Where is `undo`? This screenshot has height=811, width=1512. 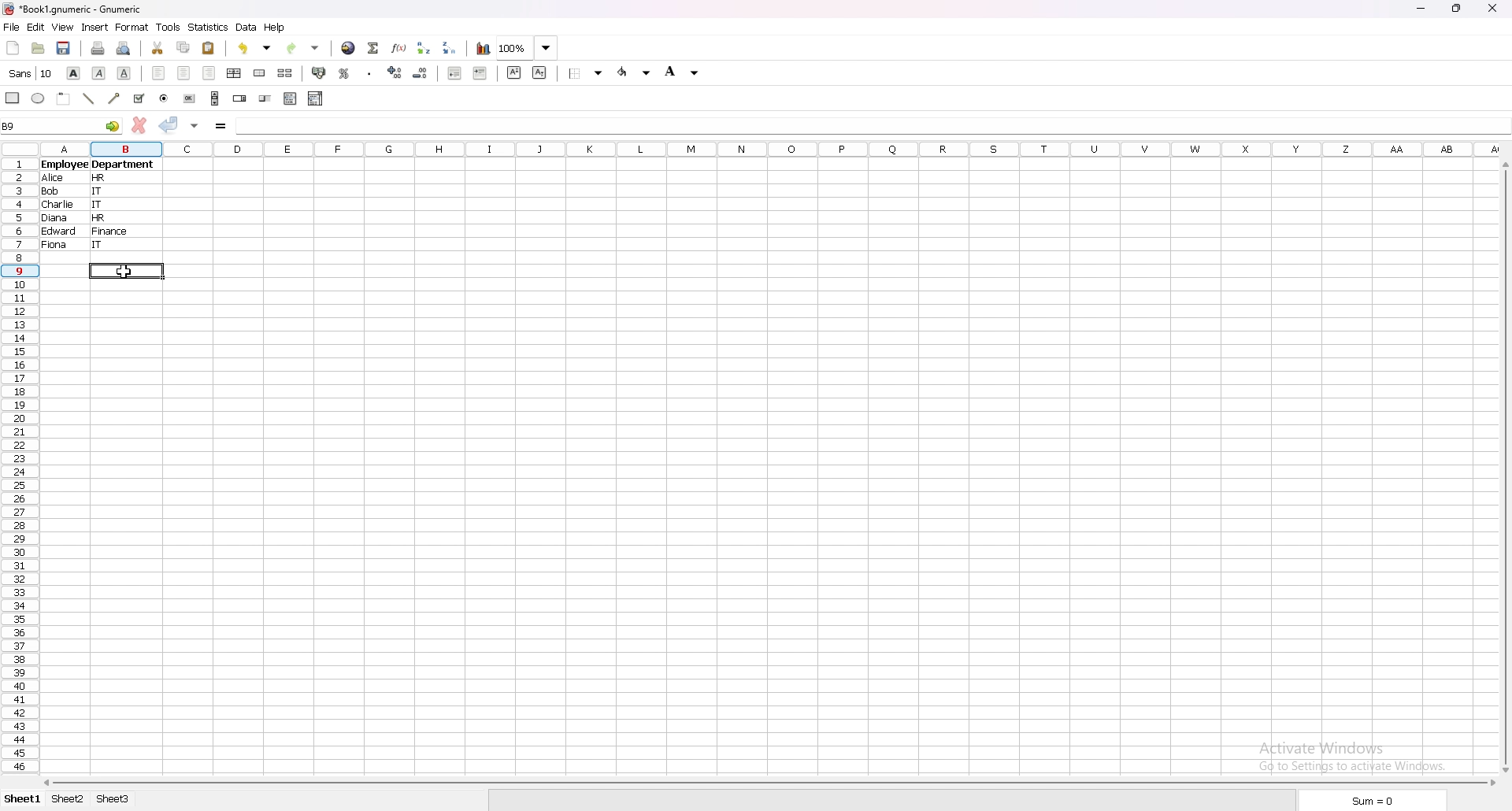
undo is located at coordinates (254, 49).